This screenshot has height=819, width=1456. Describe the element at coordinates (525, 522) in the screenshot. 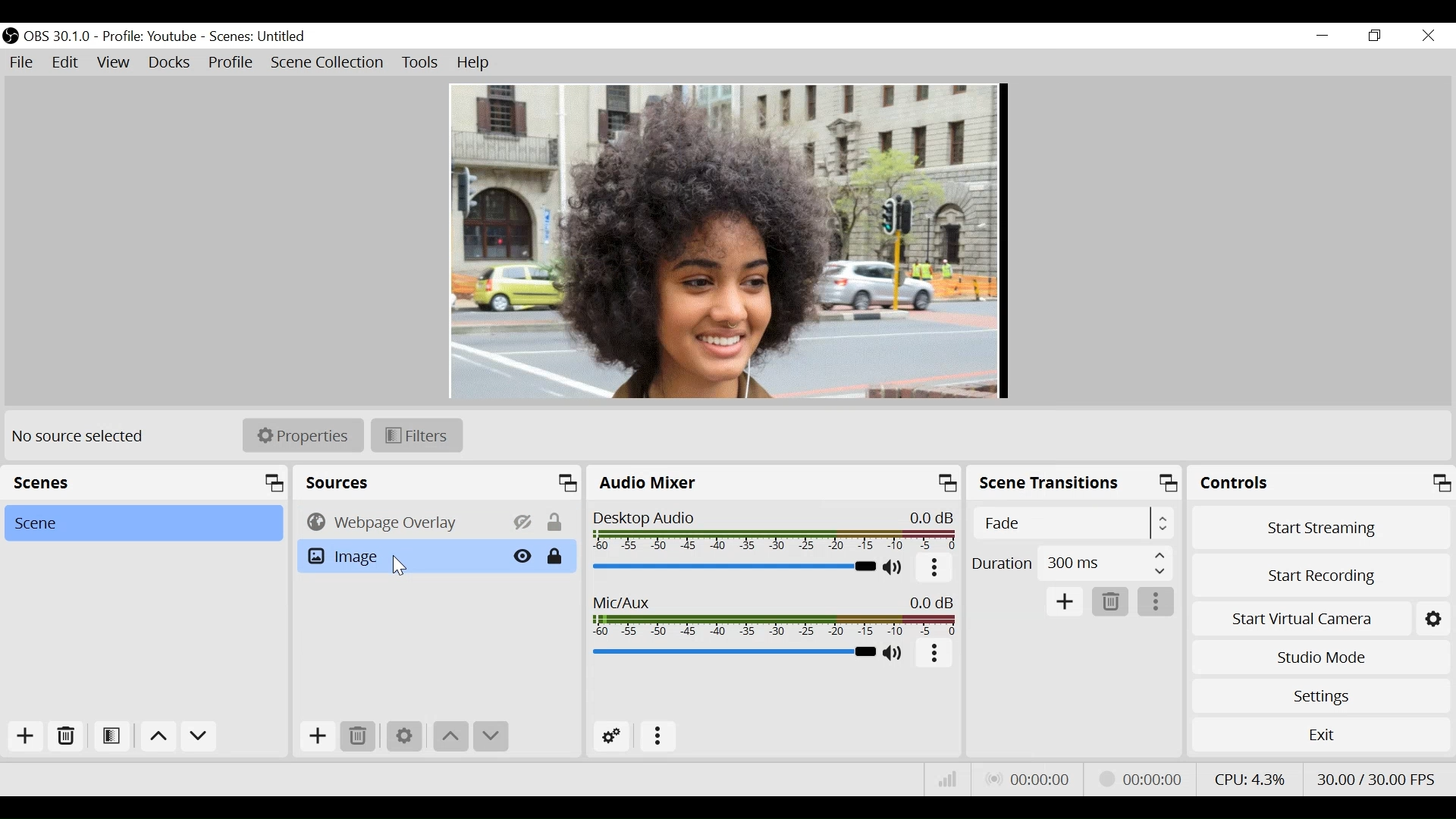

I see `Hide/Display` at that location.